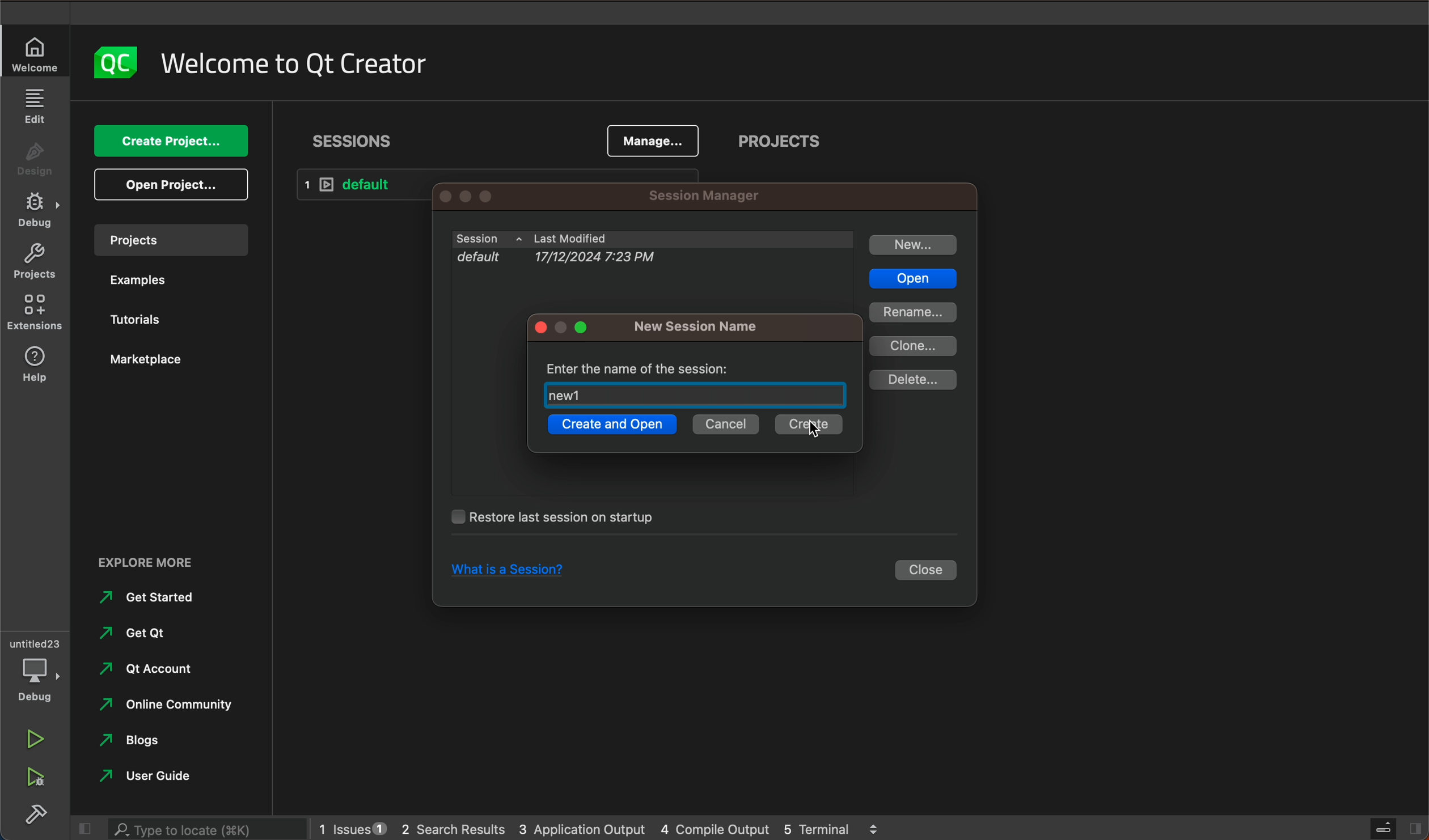 Image resolution: width=1429 pixels, height=840 pixels. I want to click on design, so click(36, 163).